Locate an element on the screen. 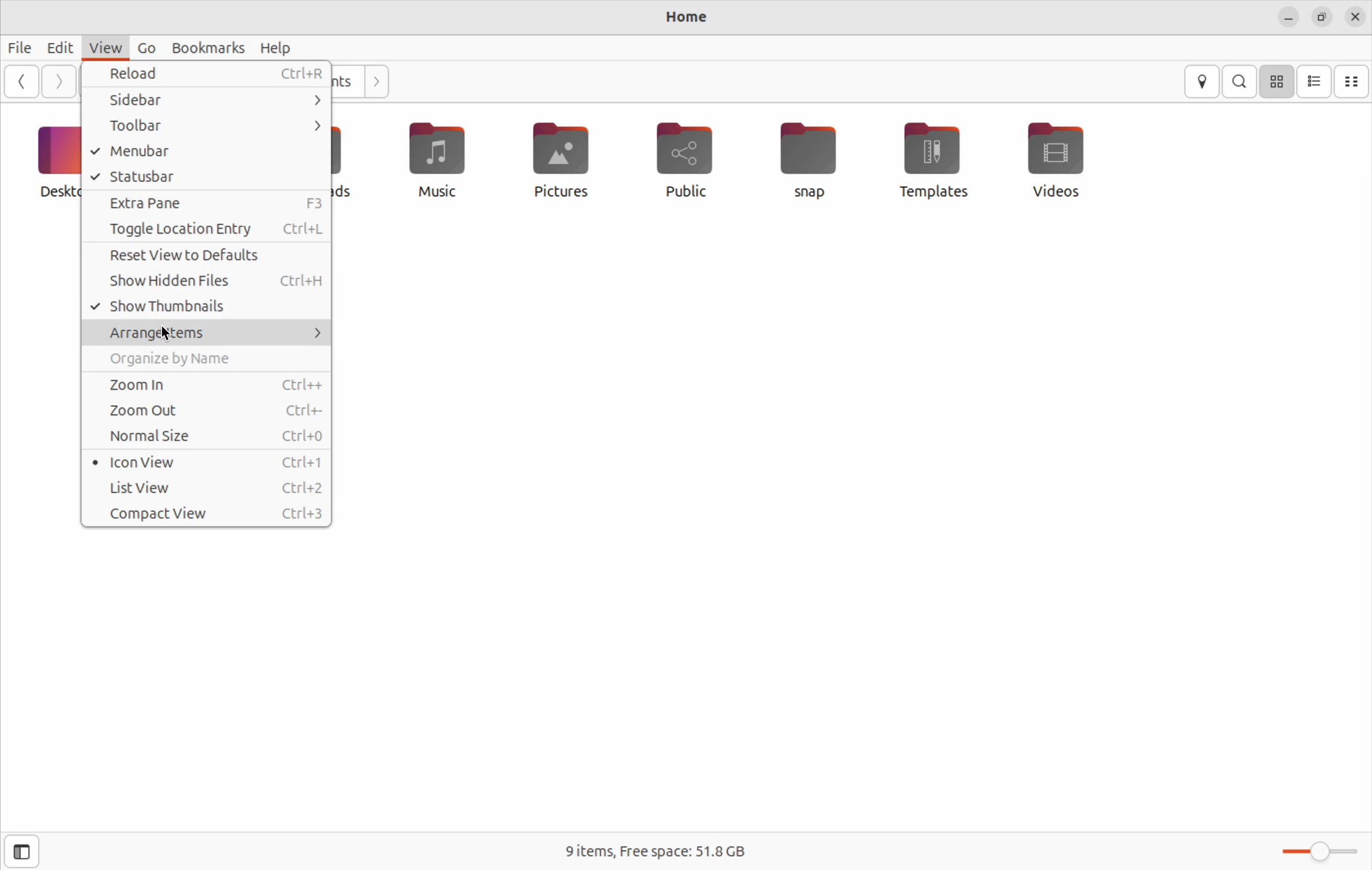 Image resolution: width=1372 pixels, height=870 pixels. resize is located at coordinates (1322, 18).